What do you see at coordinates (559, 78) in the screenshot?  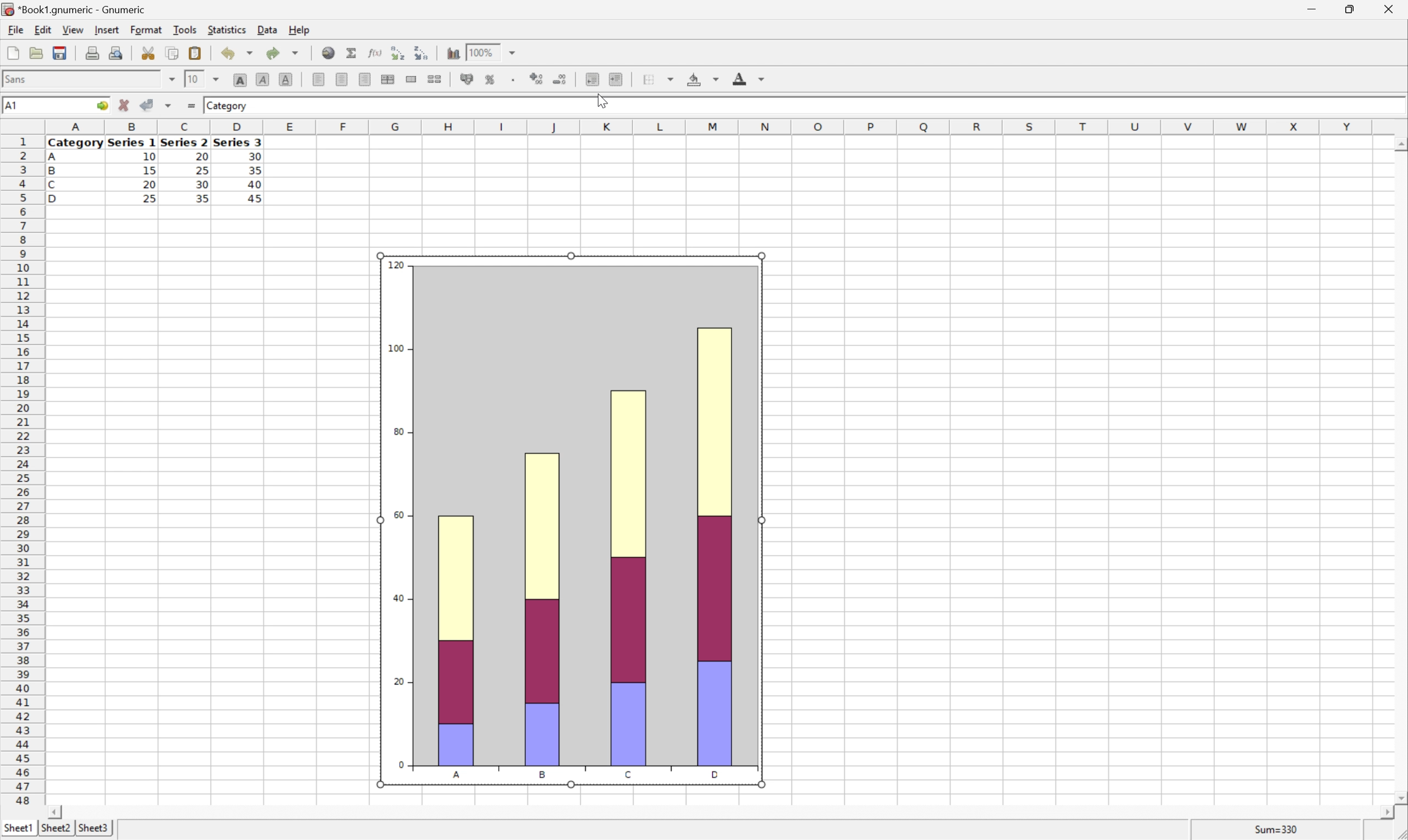 I see `Decrease the number of decimals displayed` at bounding box center [559, 78].